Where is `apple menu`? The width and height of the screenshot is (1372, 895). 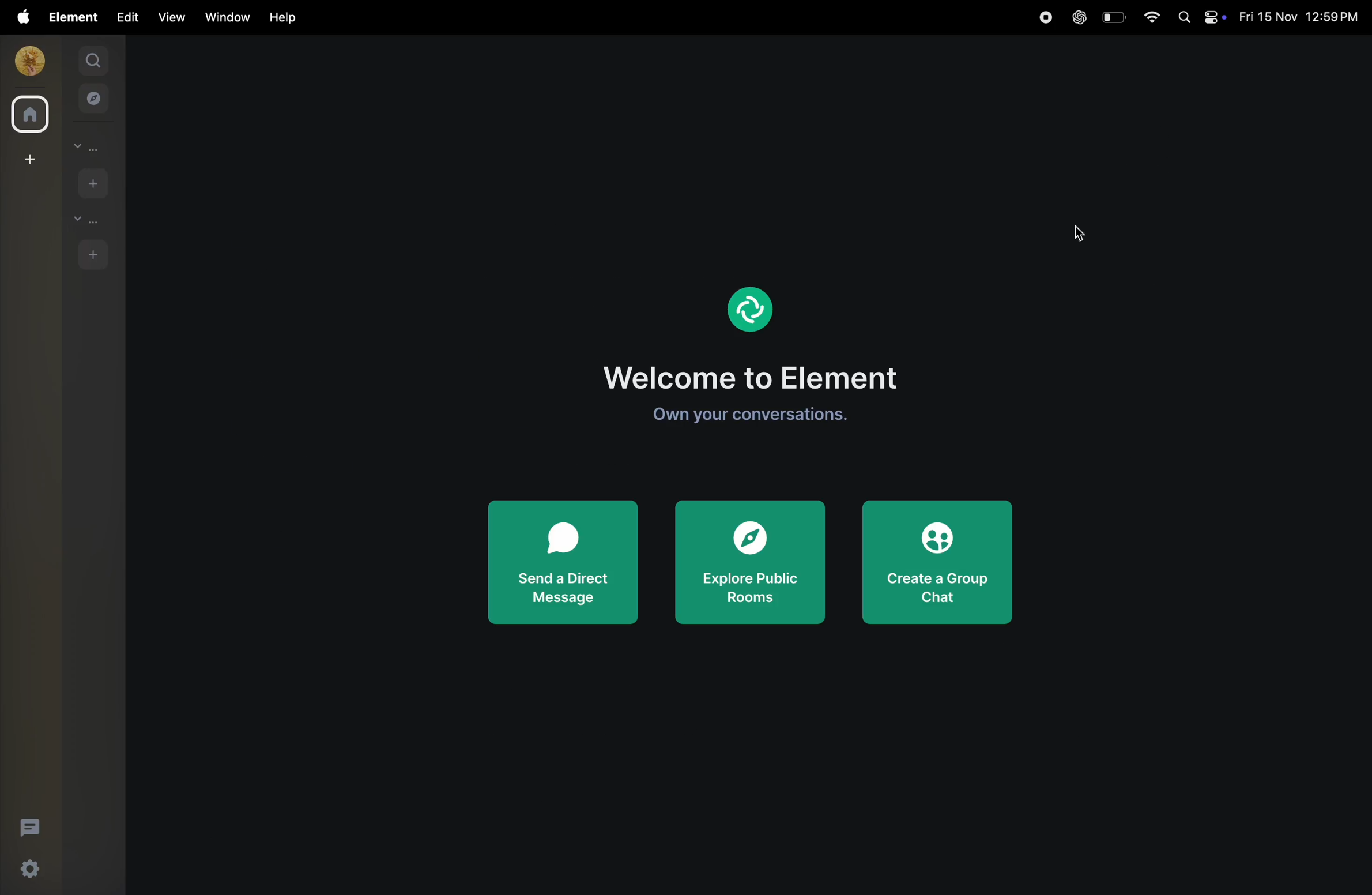 apple menu is located at coordinates (22, 17).